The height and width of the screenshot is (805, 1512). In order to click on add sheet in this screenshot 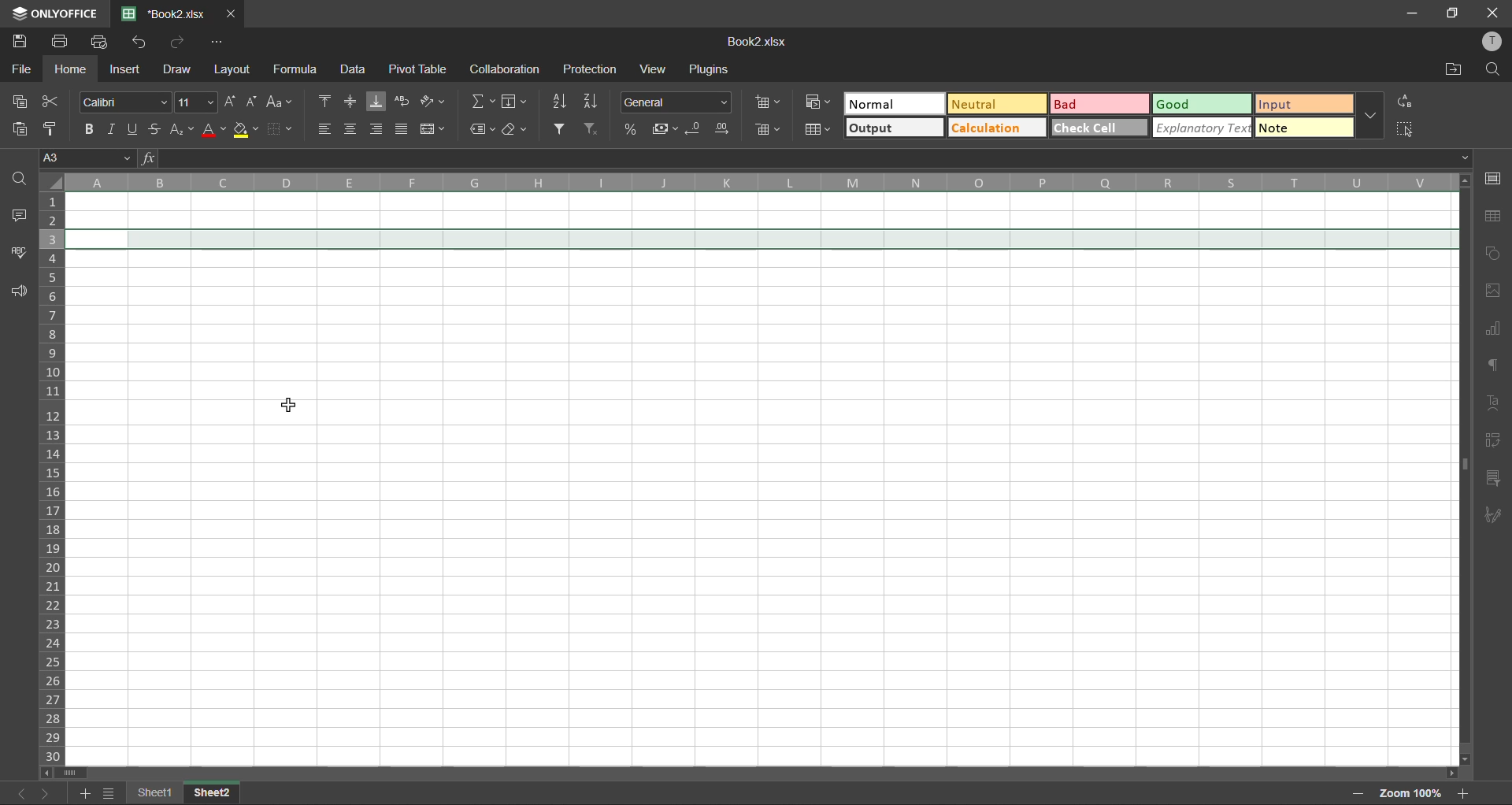, I will do `click(87, 792)`.